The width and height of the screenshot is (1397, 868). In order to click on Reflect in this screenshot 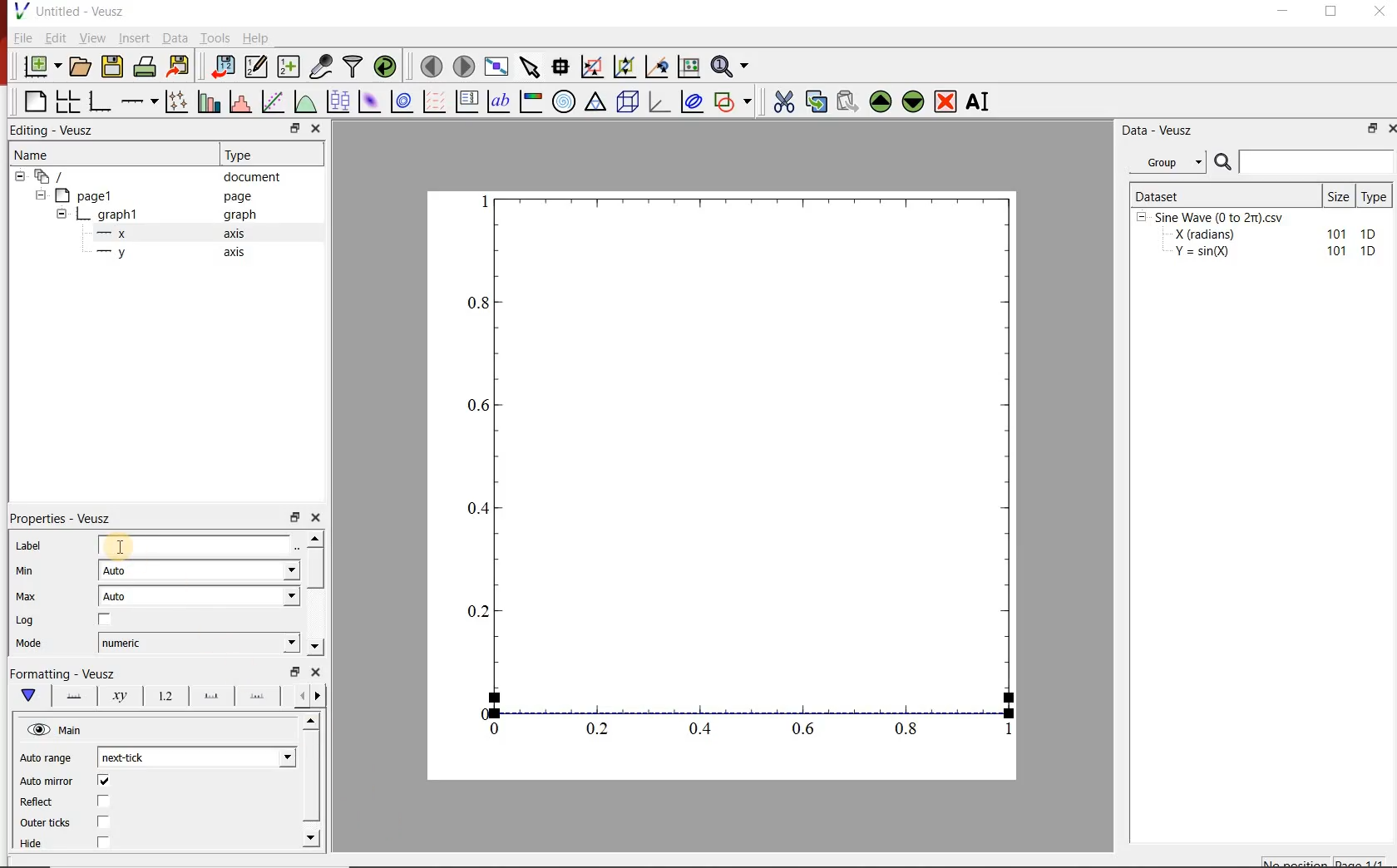, I will do `click(38, 802)`.